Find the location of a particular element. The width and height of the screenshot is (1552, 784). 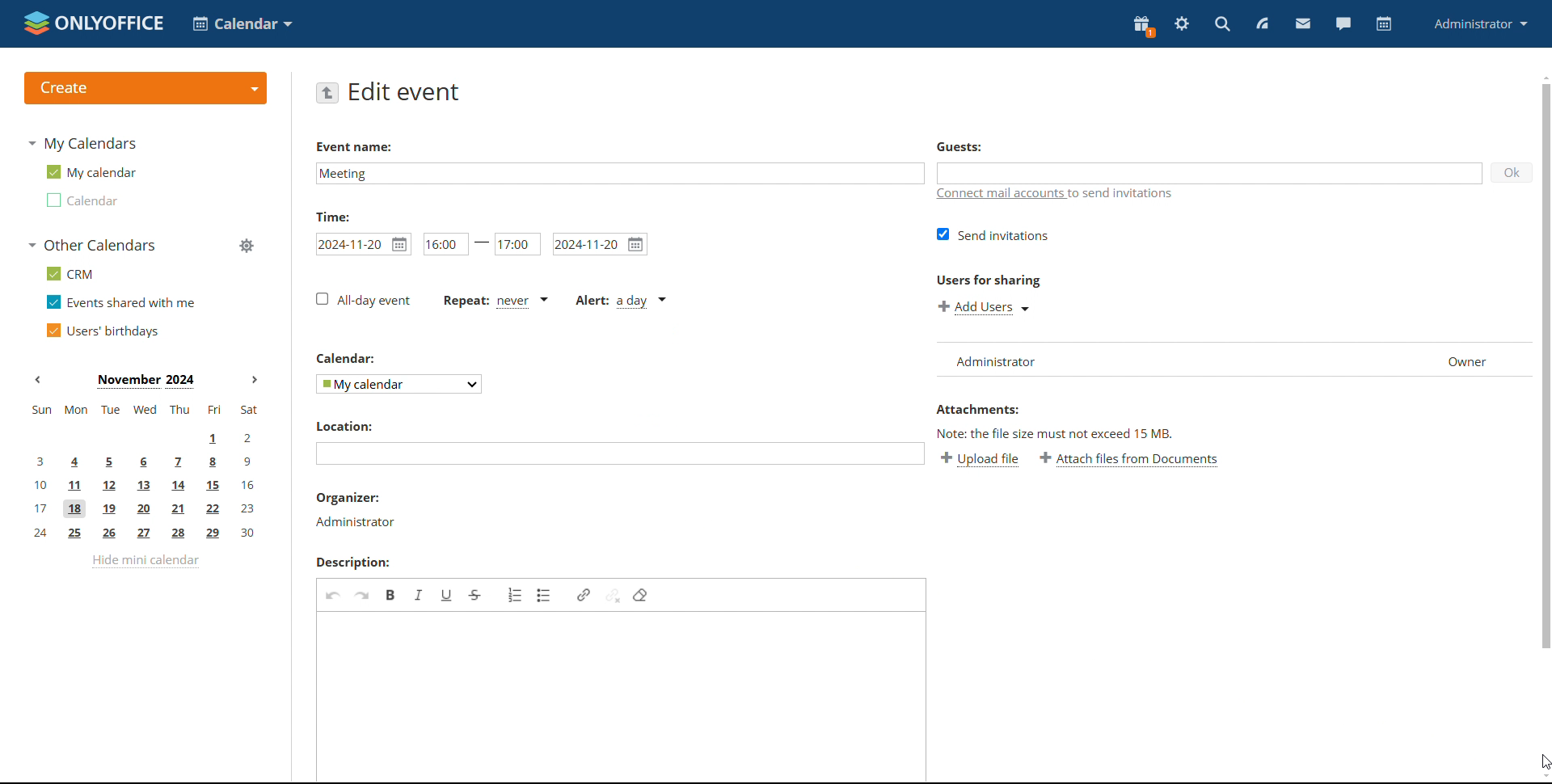

link is located at coordinates (584, 596).